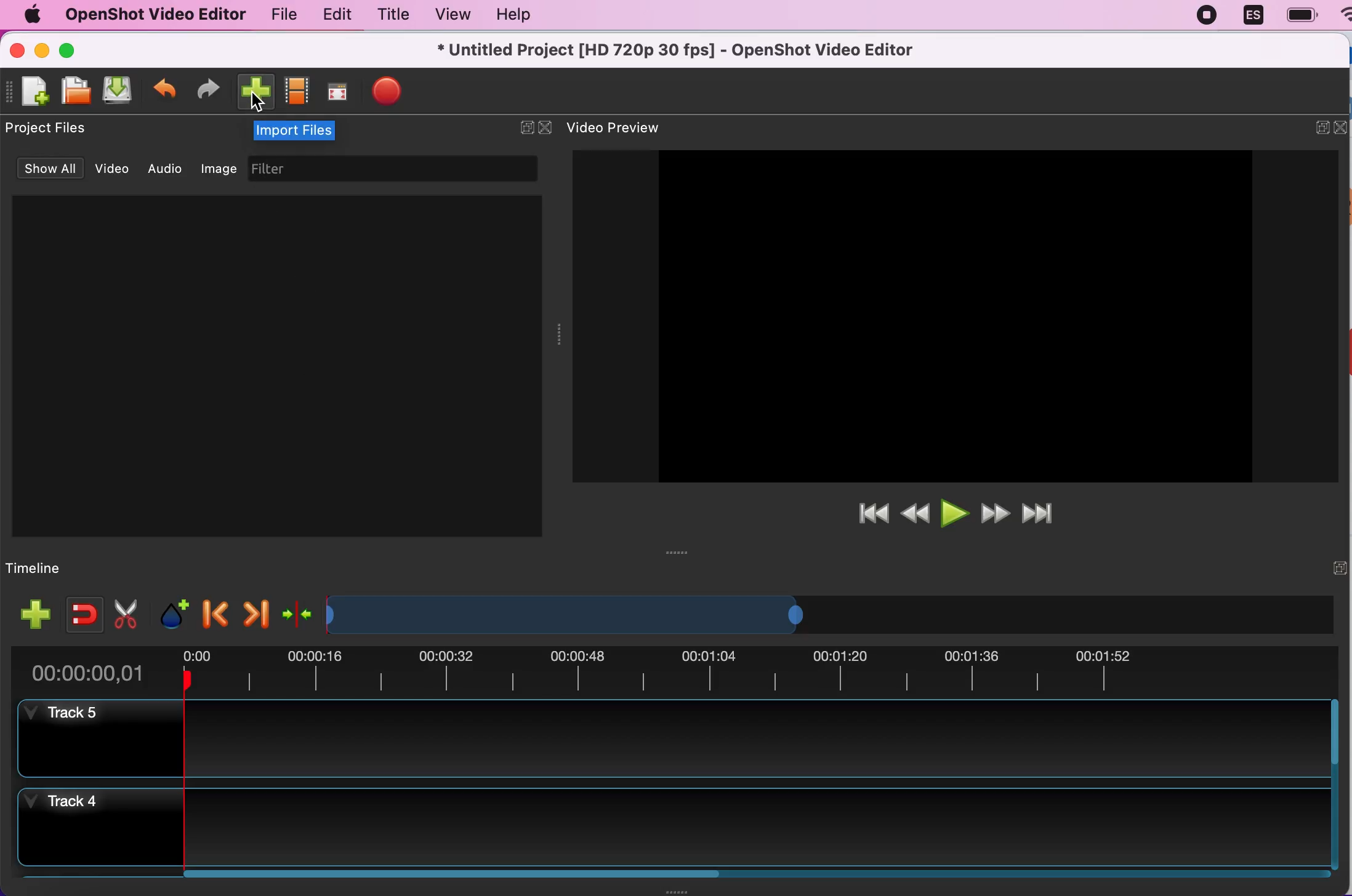  What do you see at coordinates (677, 890) in the screenshot?
I see `Window Expanding` at bounding box center [677, 890].